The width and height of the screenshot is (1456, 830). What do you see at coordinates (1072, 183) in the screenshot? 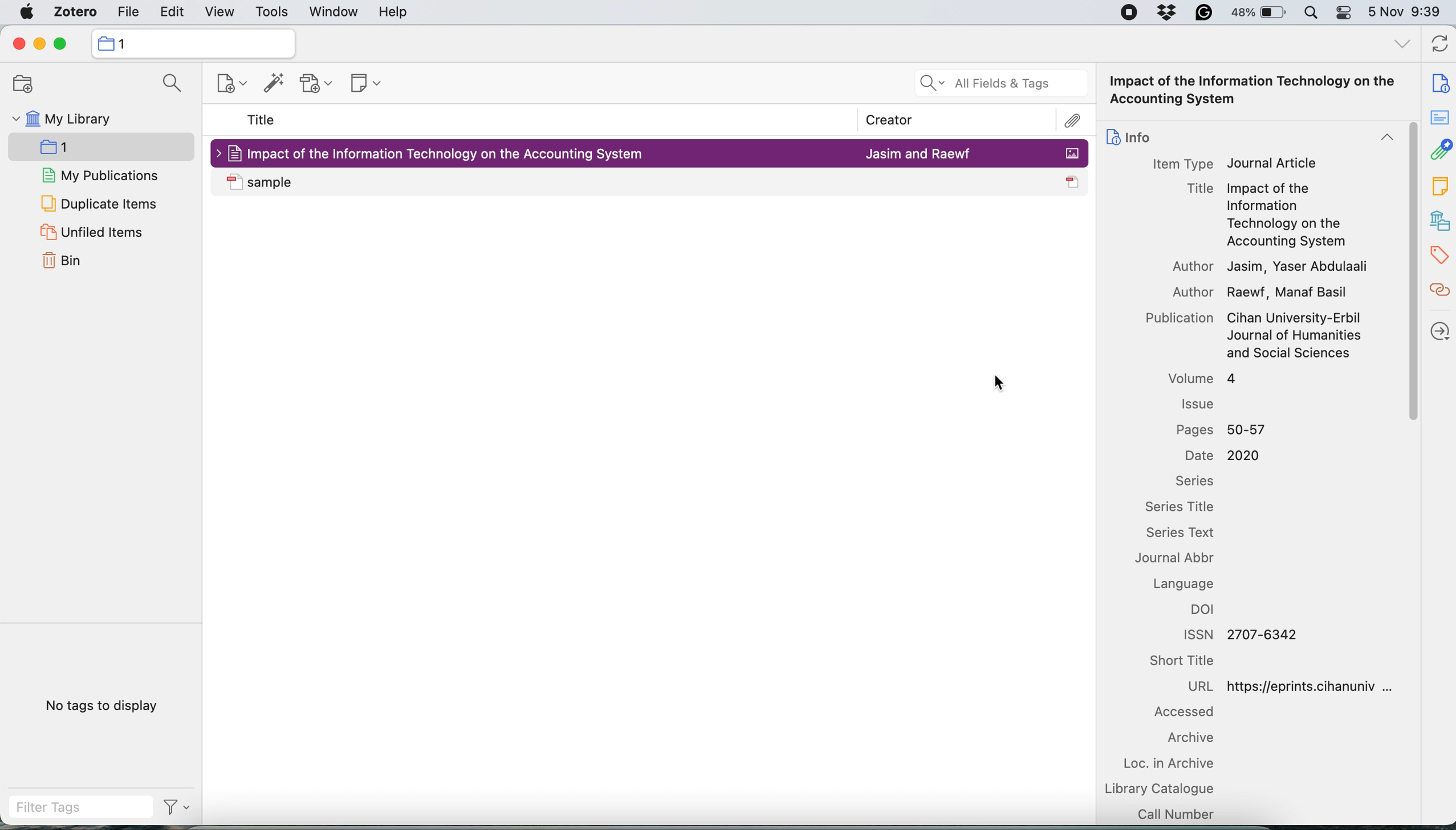
I see `document icon` at bounding box center [1072, 183].